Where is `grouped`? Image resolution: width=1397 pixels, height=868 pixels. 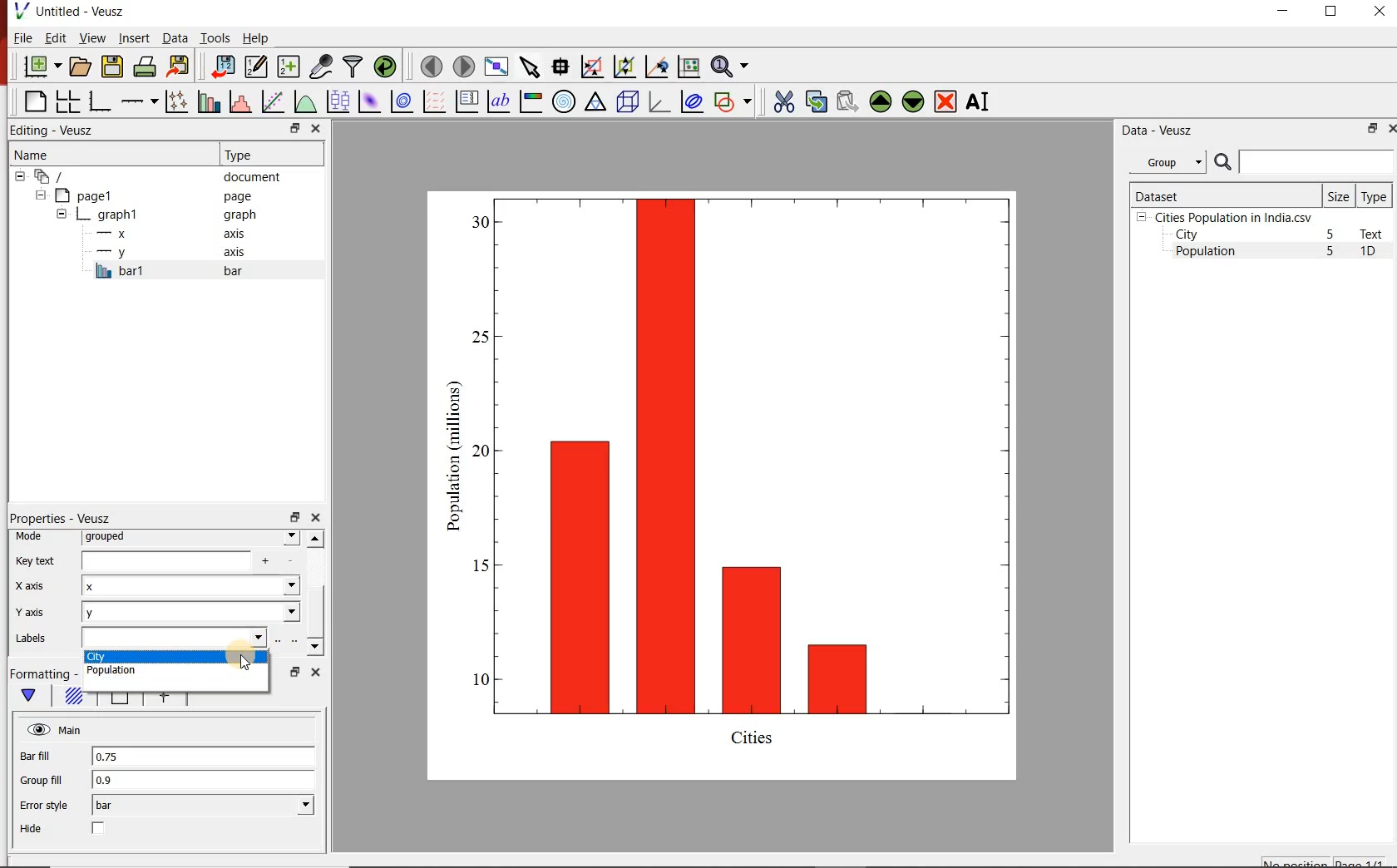
grouped is located at coordinates (190, 538).